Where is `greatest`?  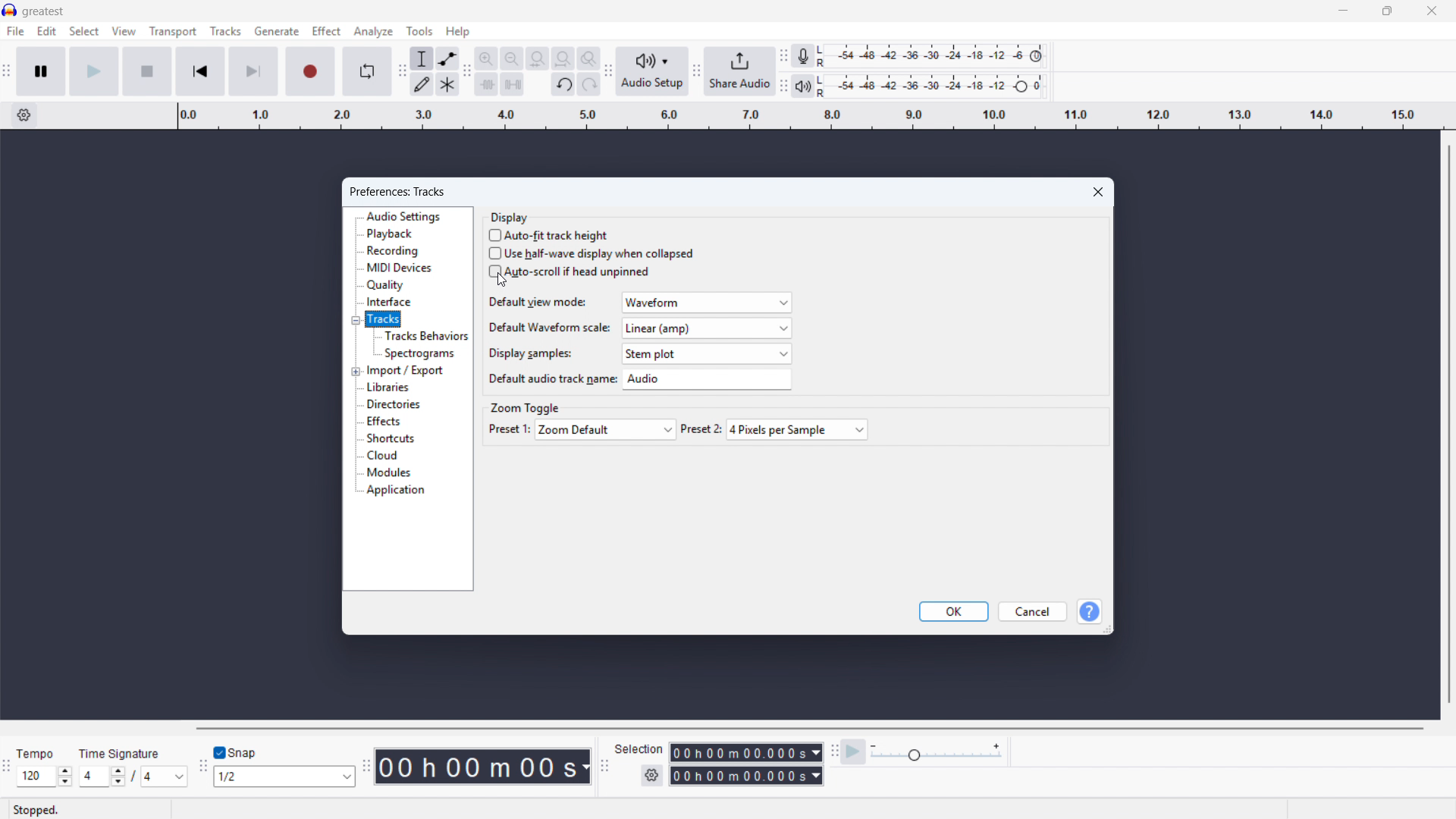 greatest is located at coordinates (44, 11).